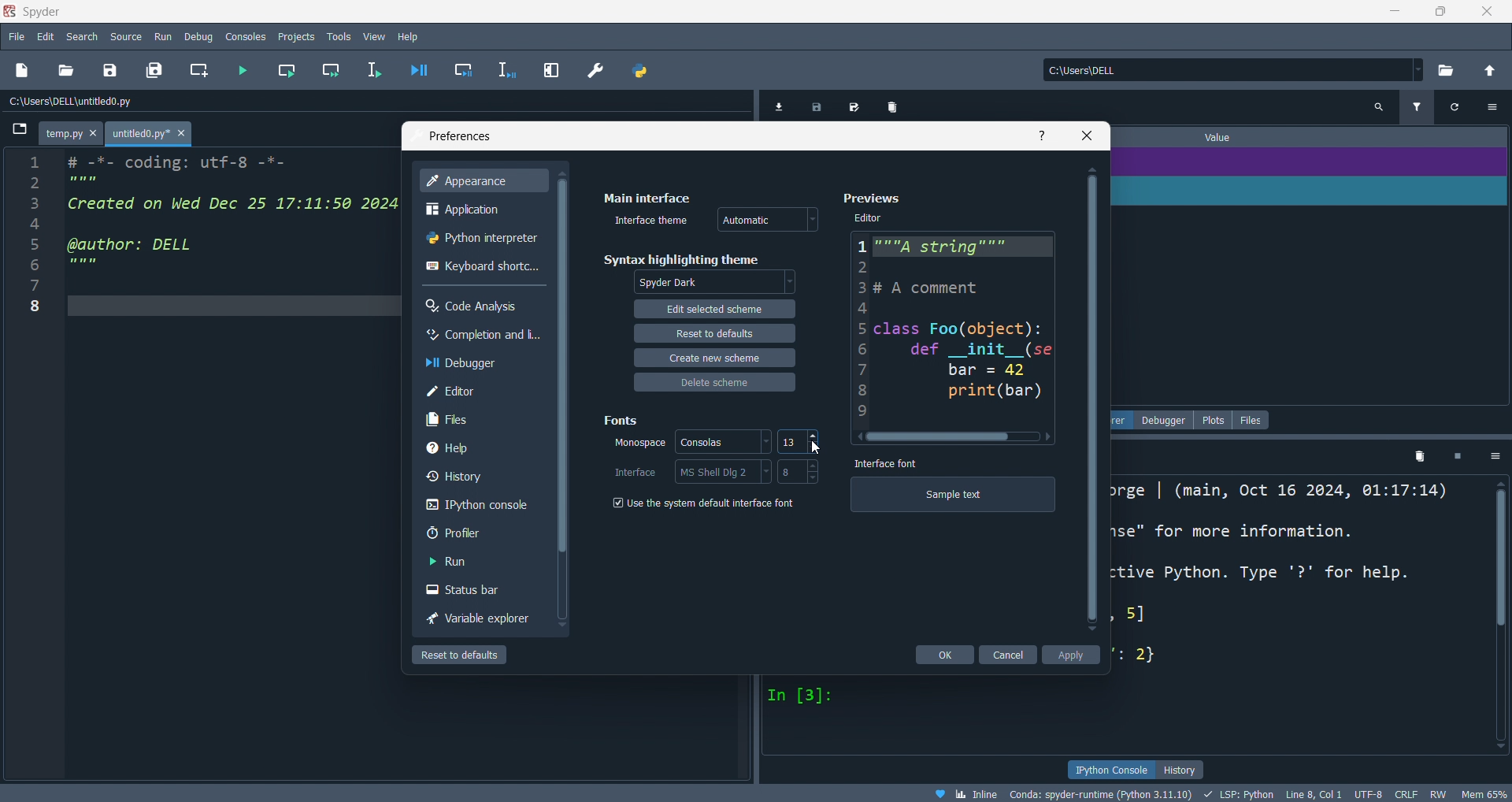 The image size is (1512, 802). Describe the element at coordinates (165, 36) in the screenshot. I see `run` at that location.